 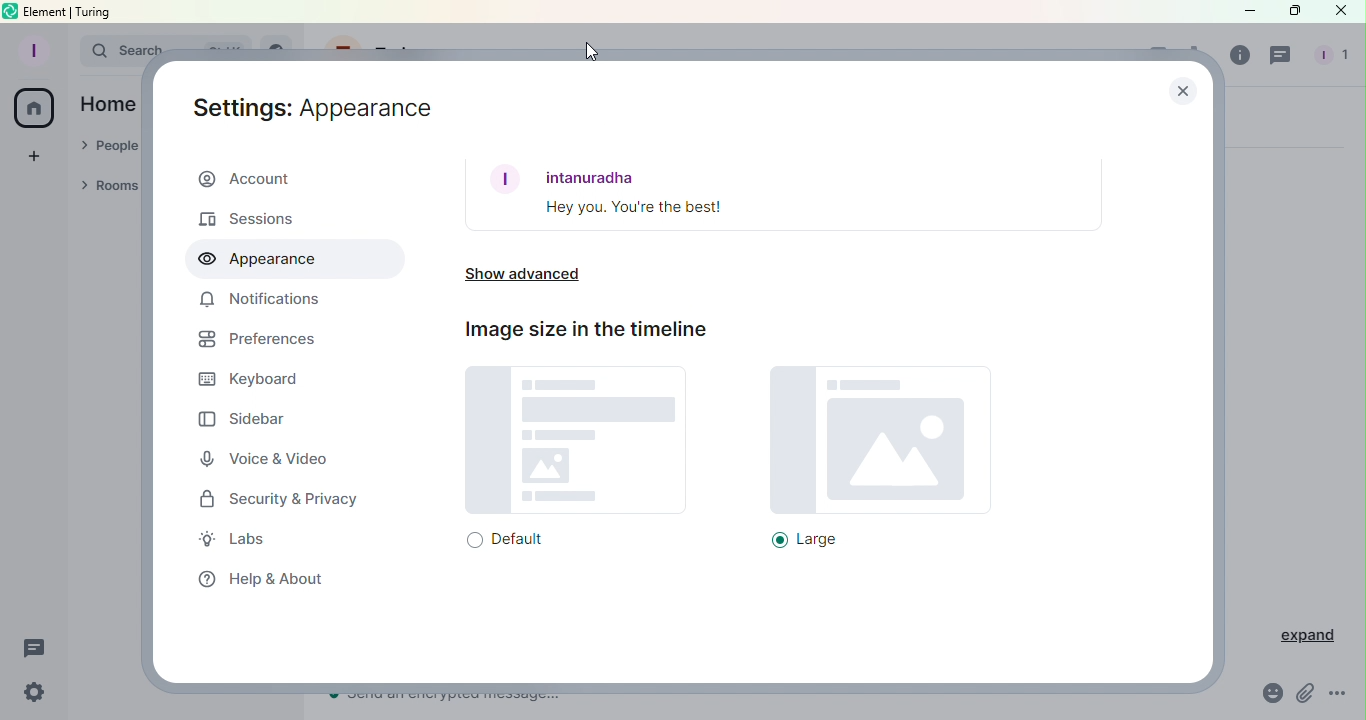 I want to click on Voice and video, so click(x=271, y=460).